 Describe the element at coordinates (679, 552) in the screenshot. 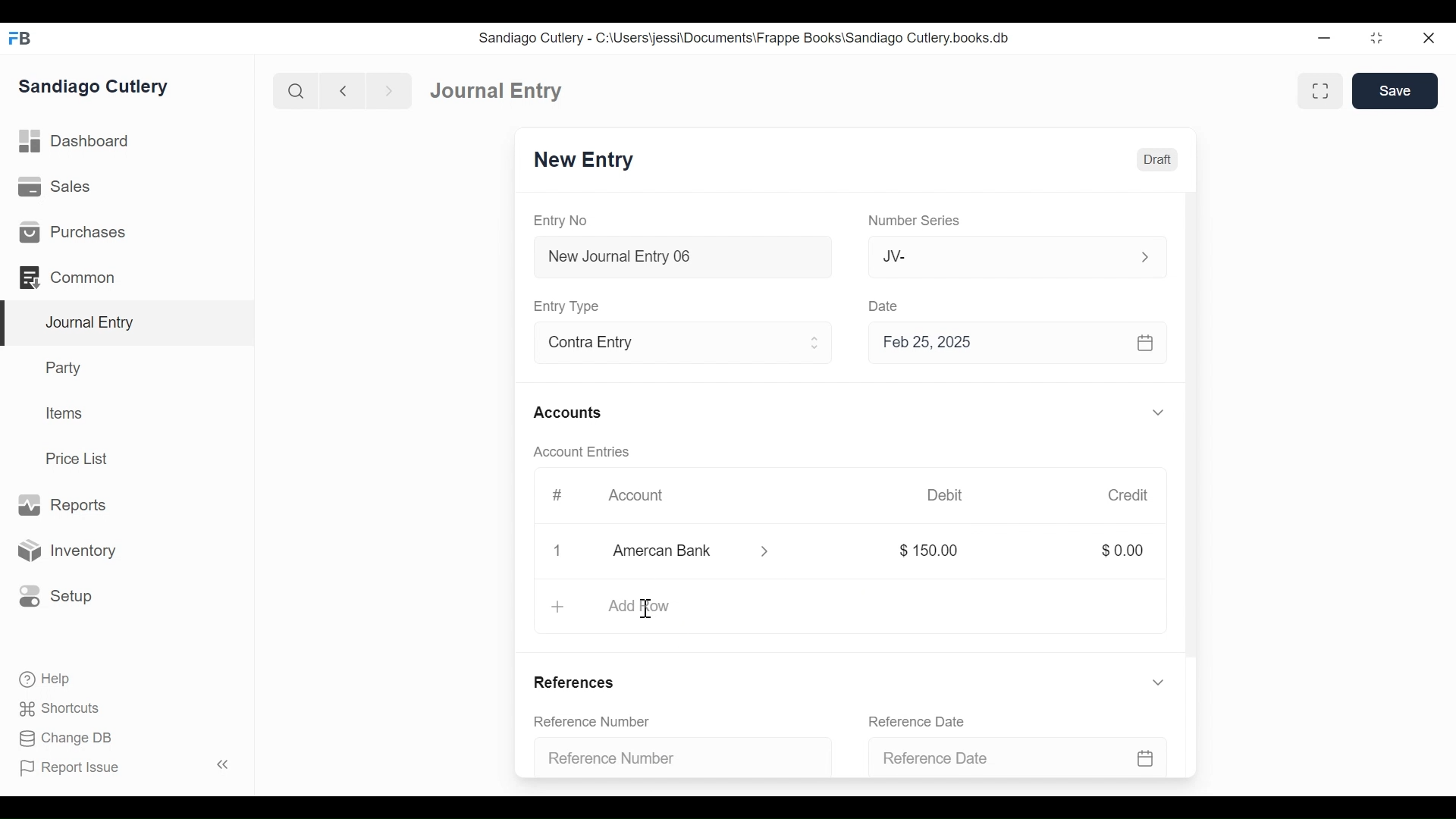

I see `Amercan Bank` at that location.